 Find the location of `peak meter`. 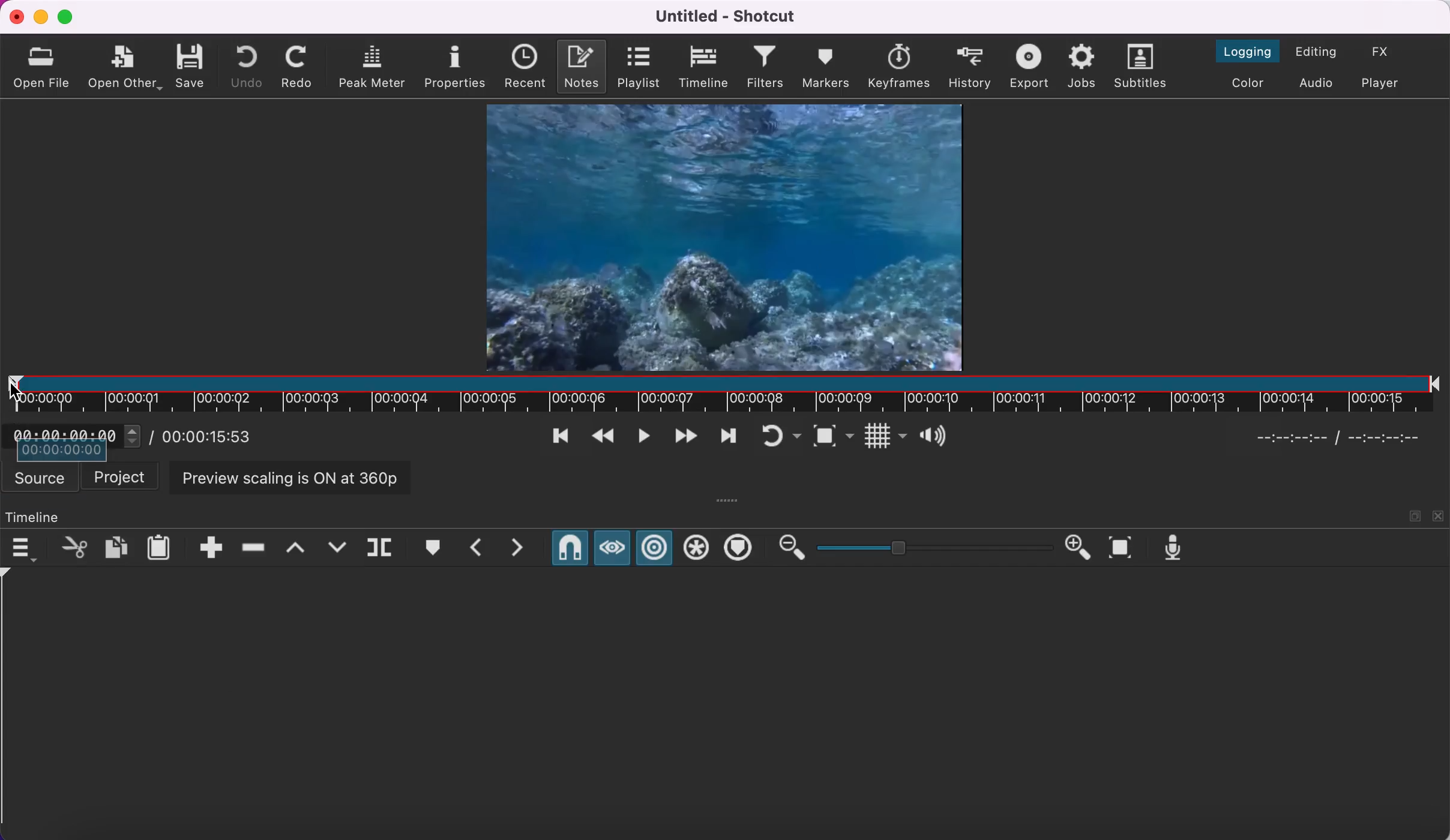

peak meter is located at coordinates (372, 66).